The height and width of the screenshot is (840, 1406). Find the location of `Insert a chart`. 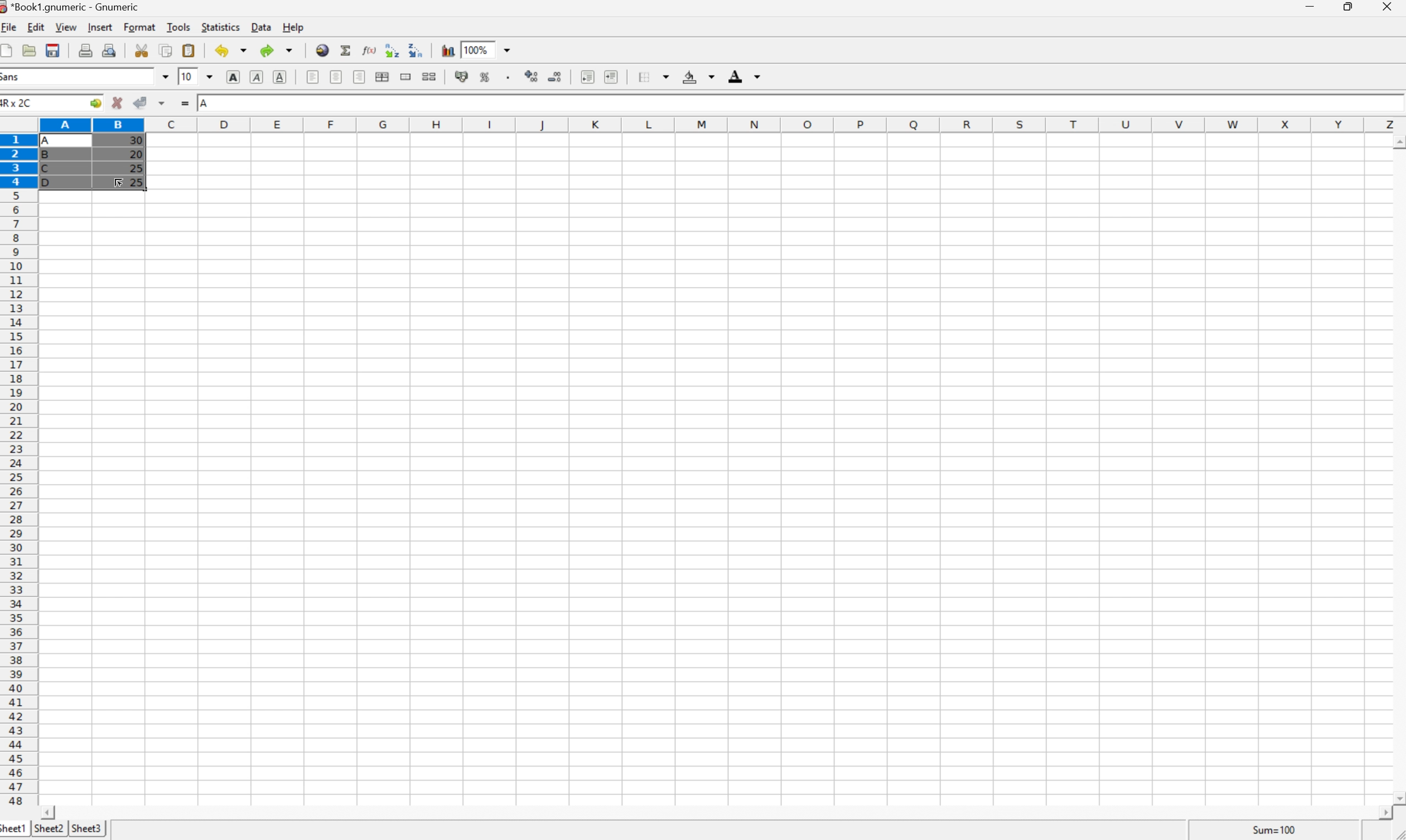

Insert a chart is located at coordinates (447, 48).